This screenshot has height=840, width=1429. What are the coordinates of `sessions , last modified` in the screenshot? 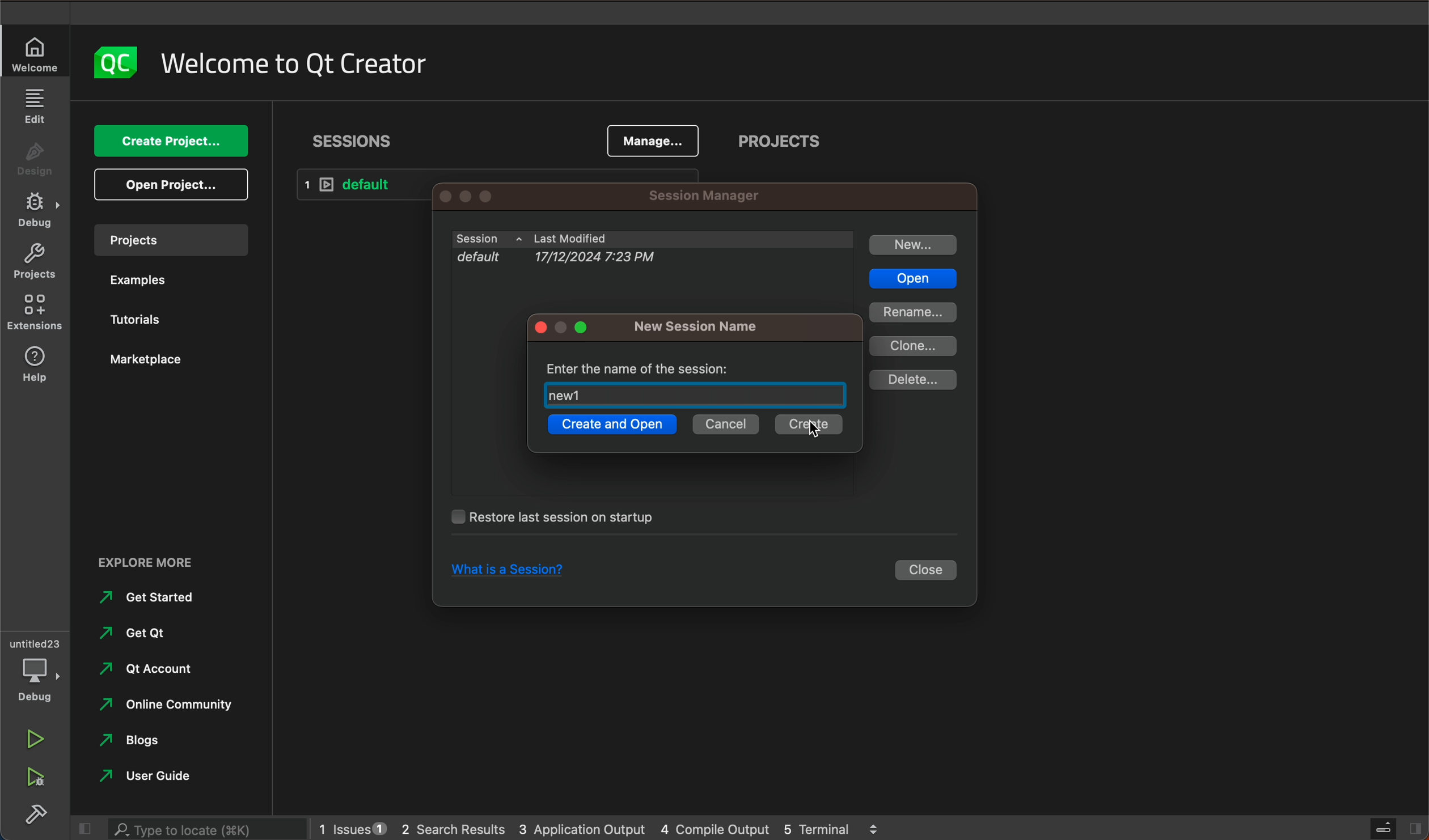 It's located at (652, 239).